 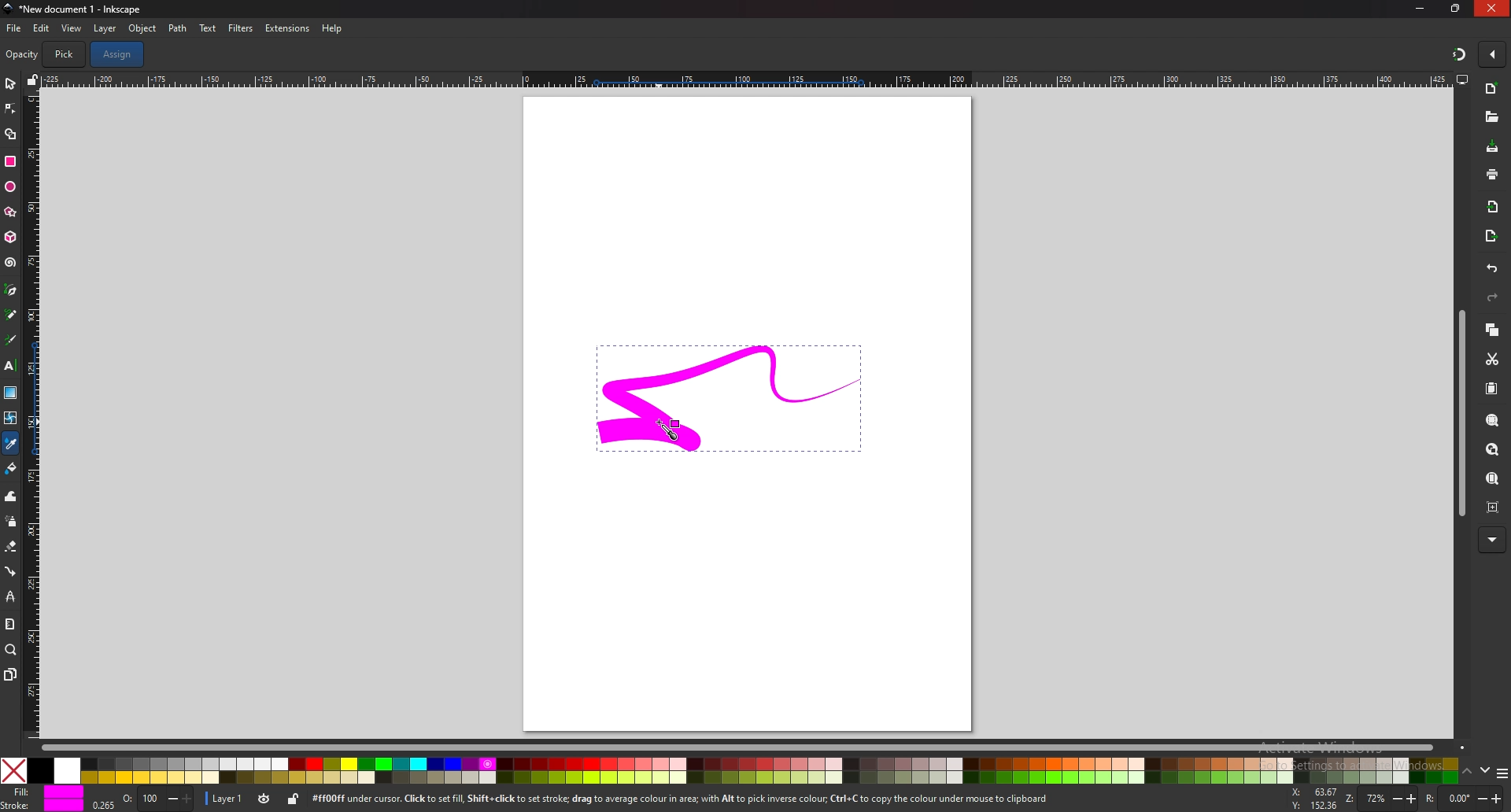 What do you see at coordinates (10, 187) in the screenshot?
I see `ellipse` at bounding box center [10, 187].